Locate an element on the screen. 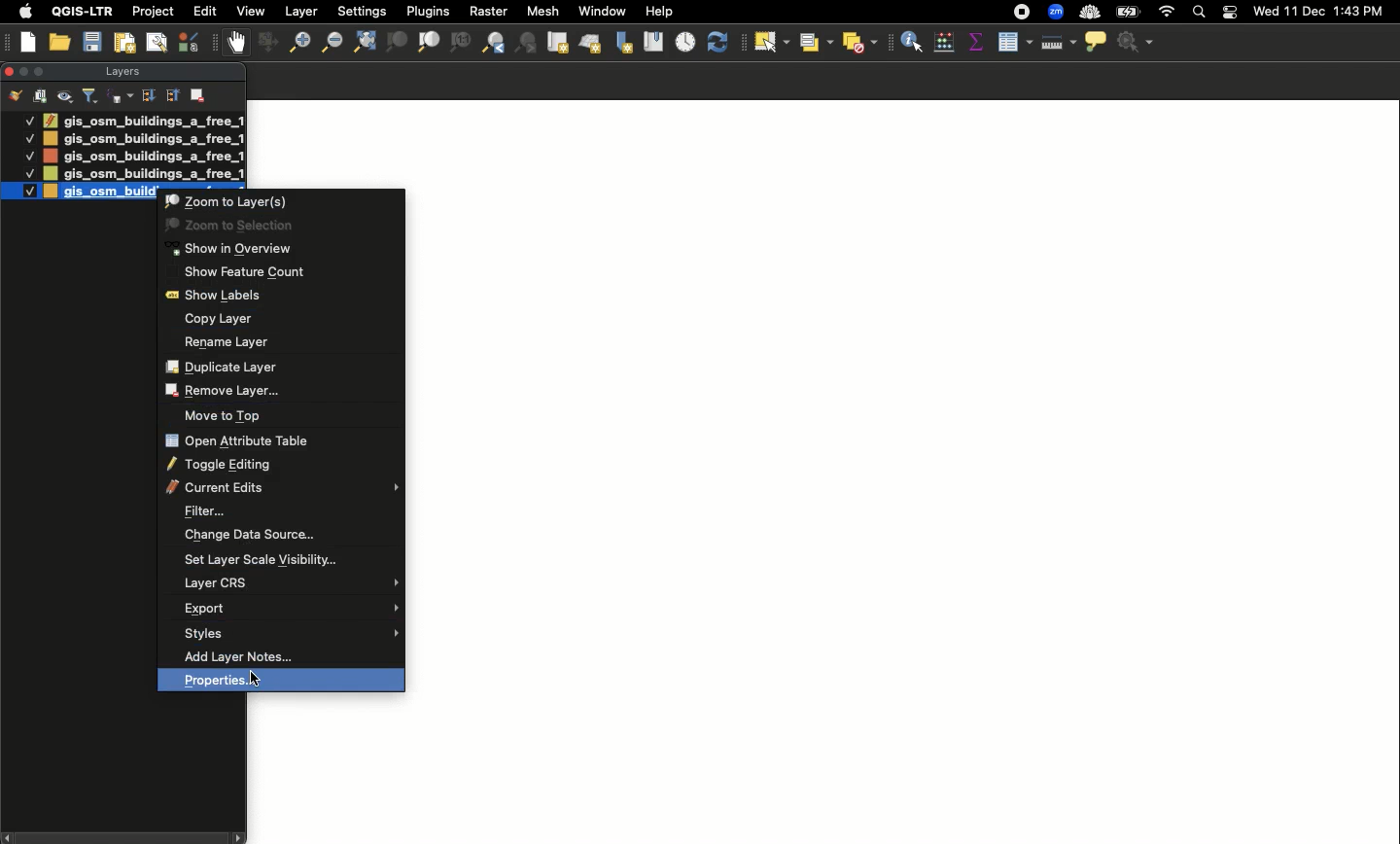 This screenshot has height=844, width=1400. Zoom to layer is located at coordinates (430, 42).